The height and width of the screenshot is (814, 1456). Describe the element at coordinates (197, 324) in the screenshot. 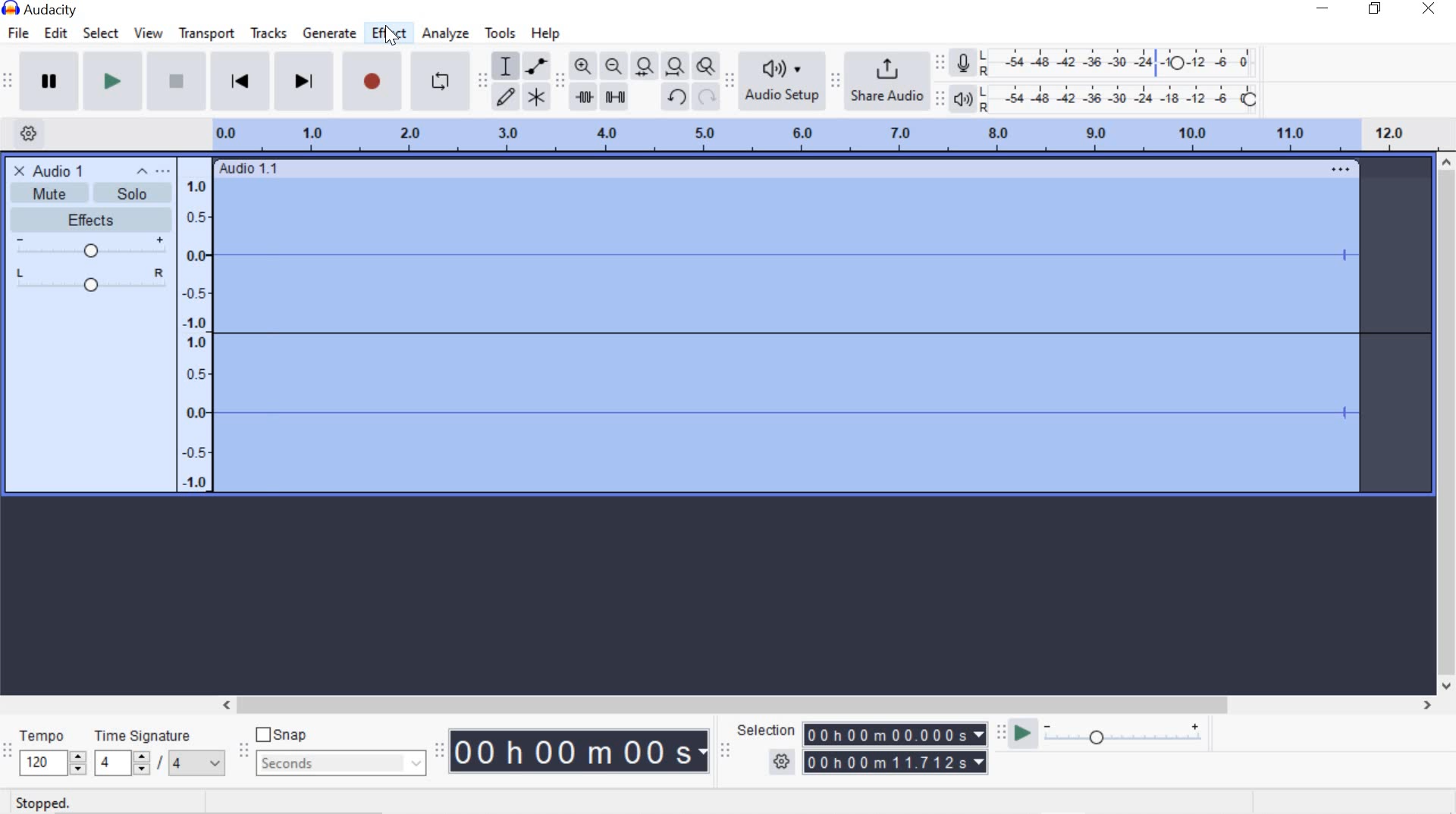

I see `Menu` at that location.